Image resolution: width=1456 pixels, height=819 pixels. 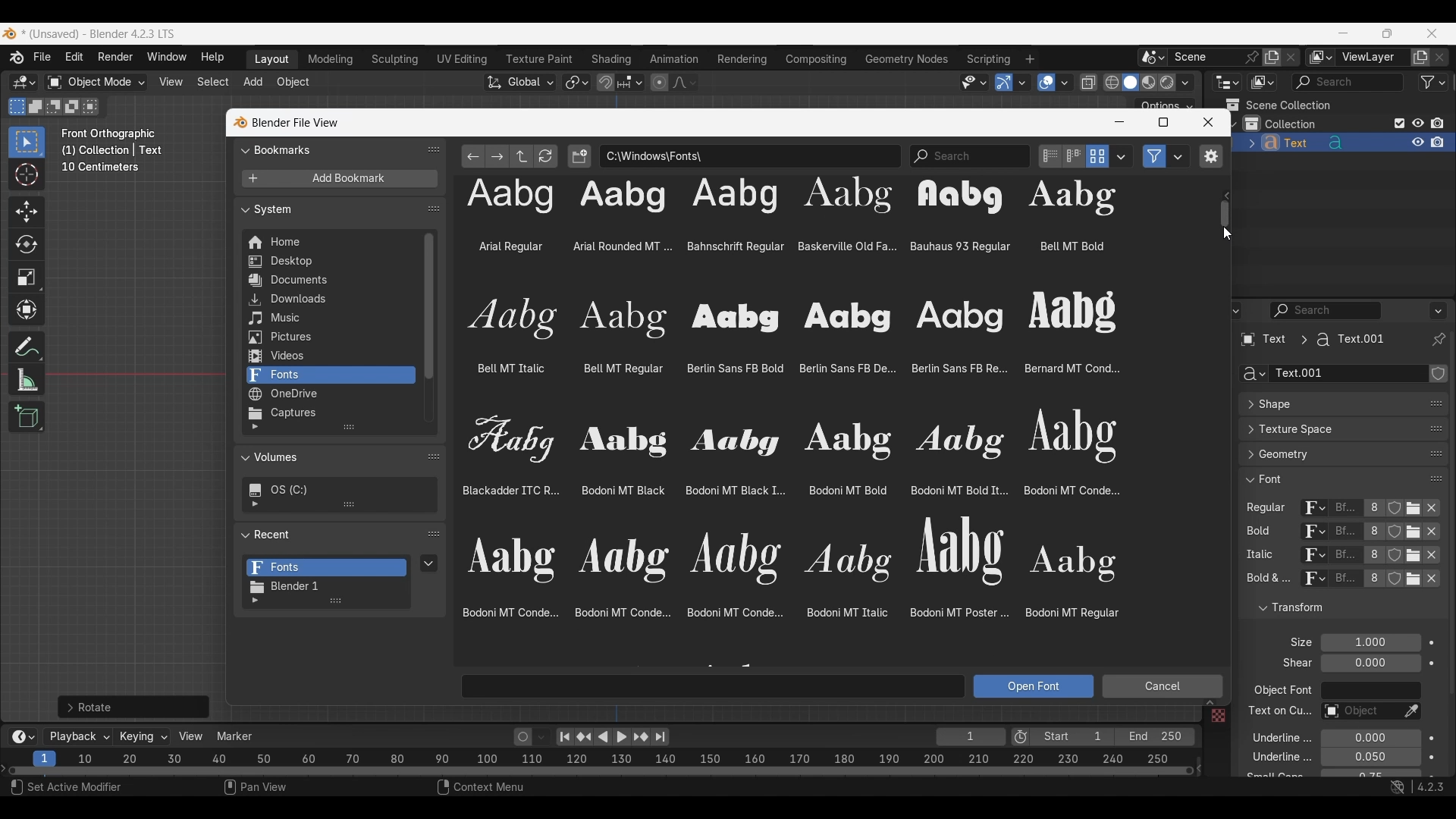 What do you see at coordinates (434, 209) in the screenshot?
I see `Change order in list` at bounding box center [434, 209].